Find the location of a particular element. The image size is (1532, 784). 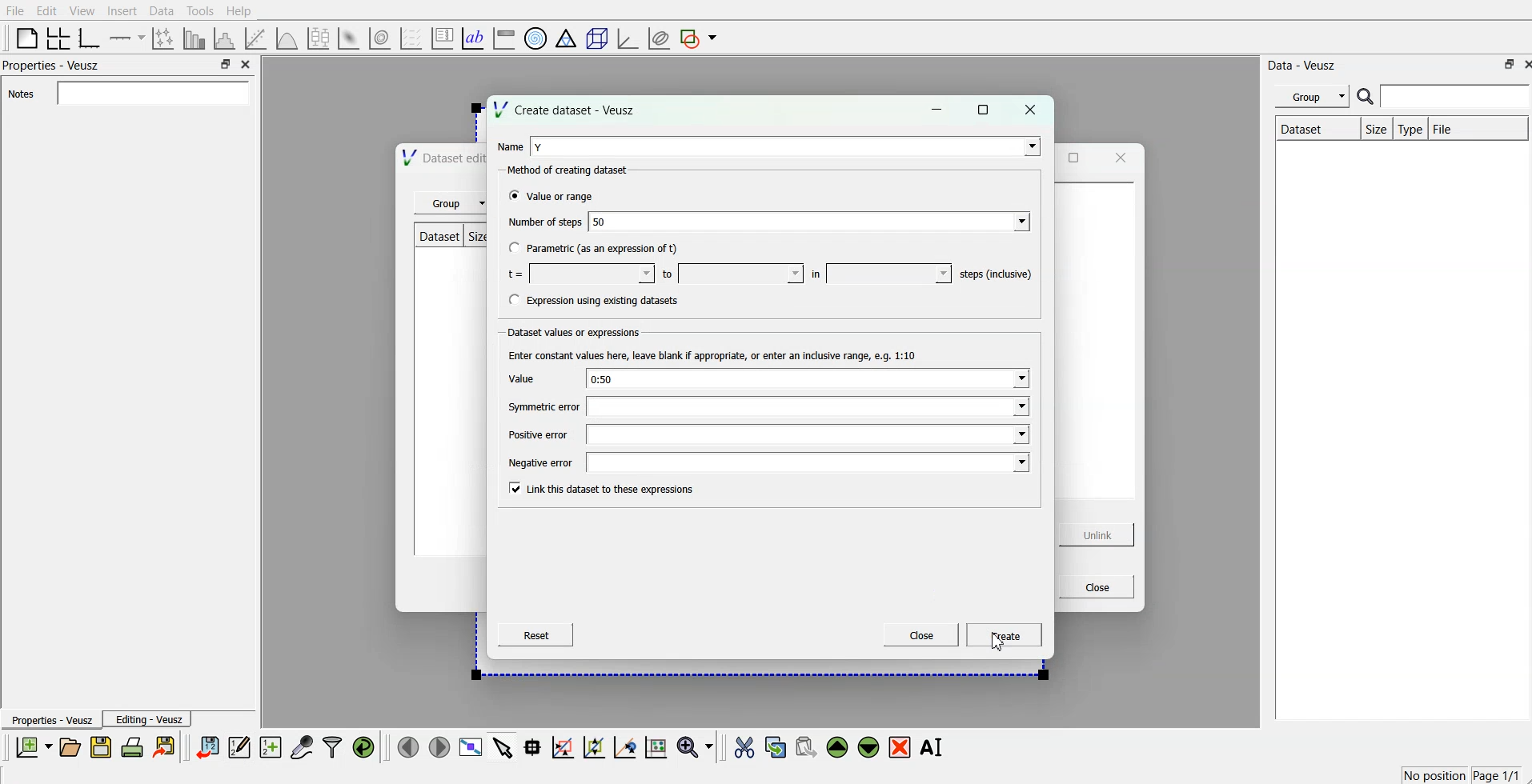

plot box plots is located at coordinates (321, 38).